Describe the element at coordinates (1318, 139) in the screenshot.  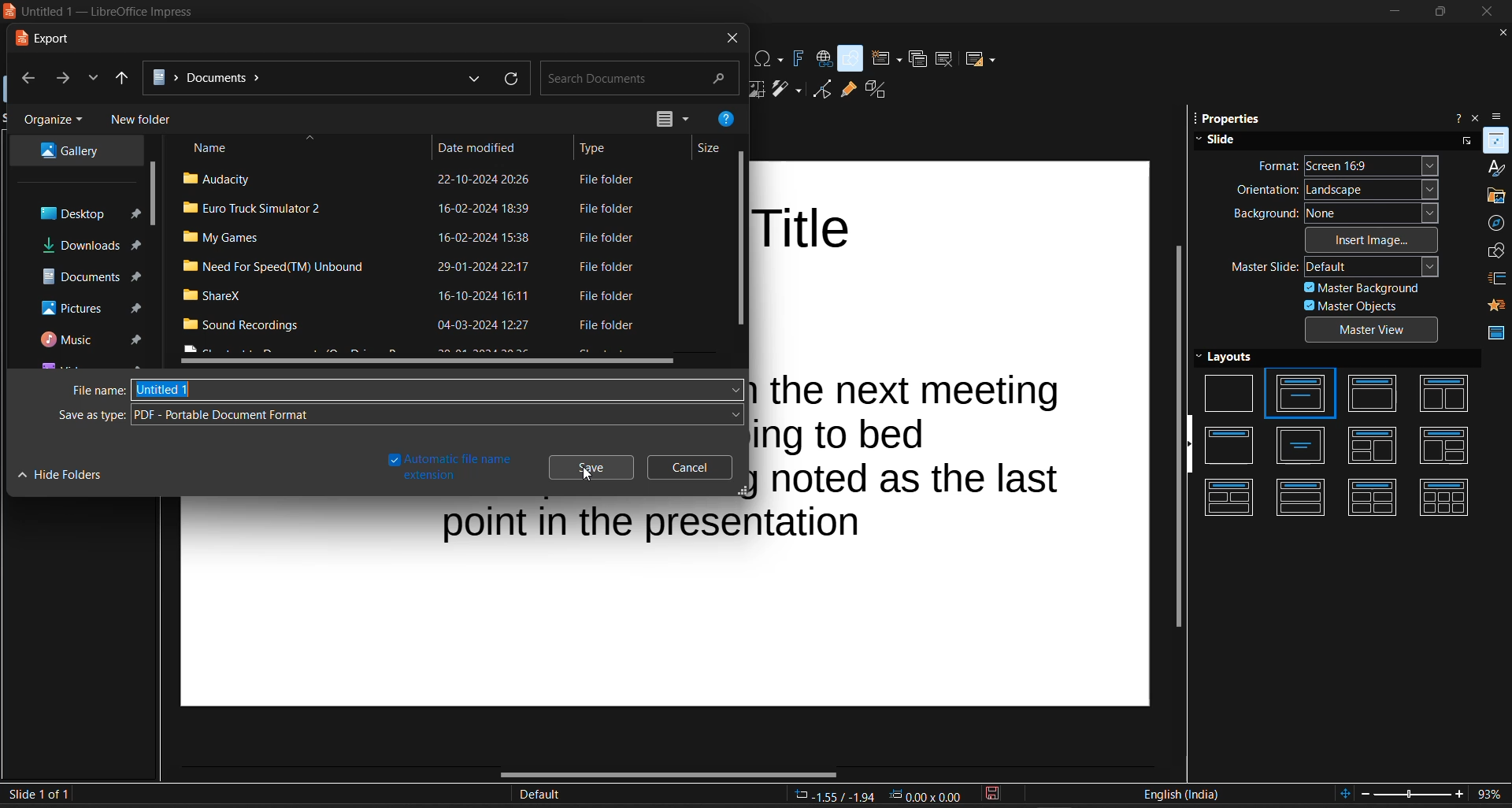
I see `slide` at that location.